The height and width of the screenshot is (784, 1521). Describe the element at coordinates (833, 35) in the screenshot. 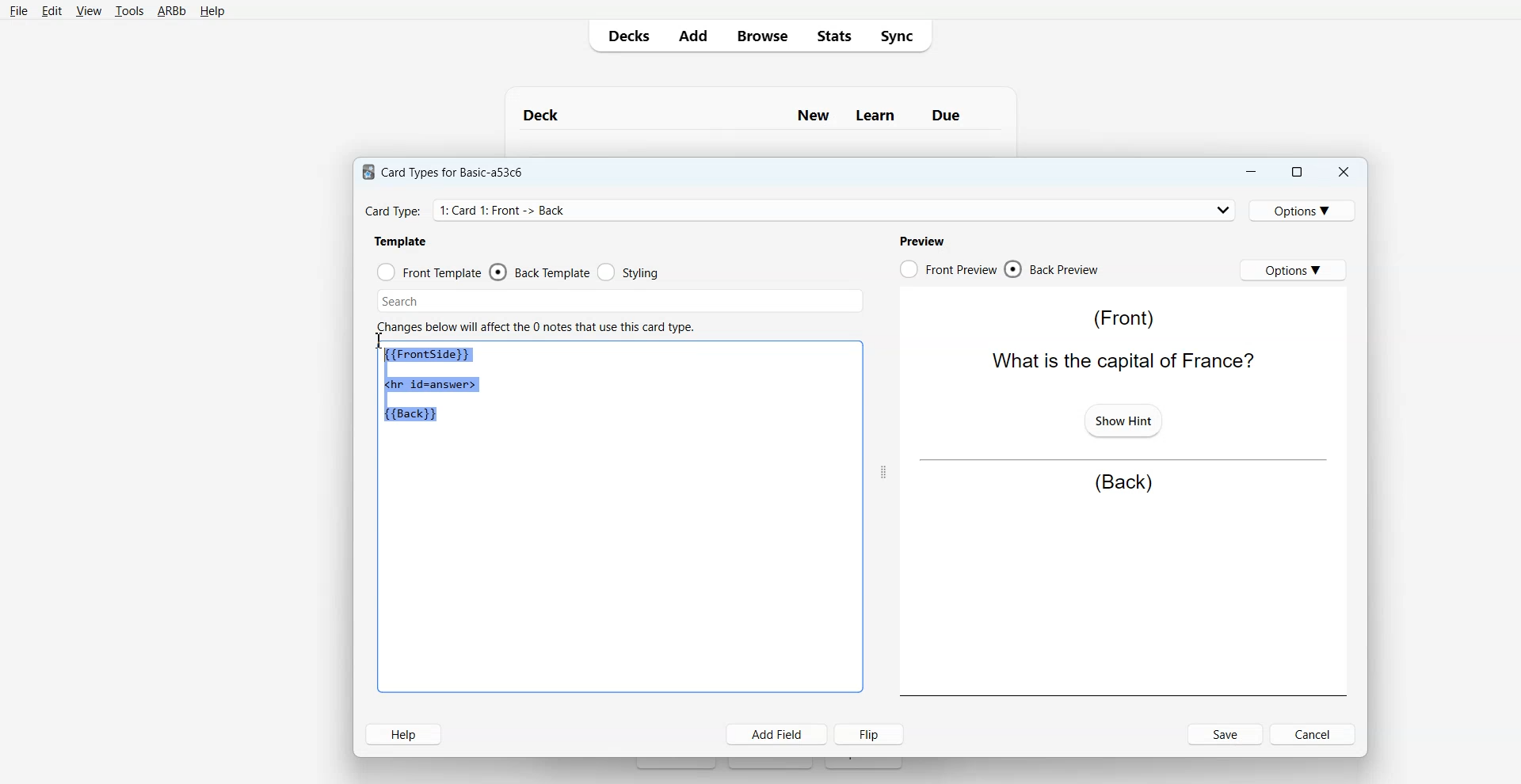

I see `Stats` at that location.